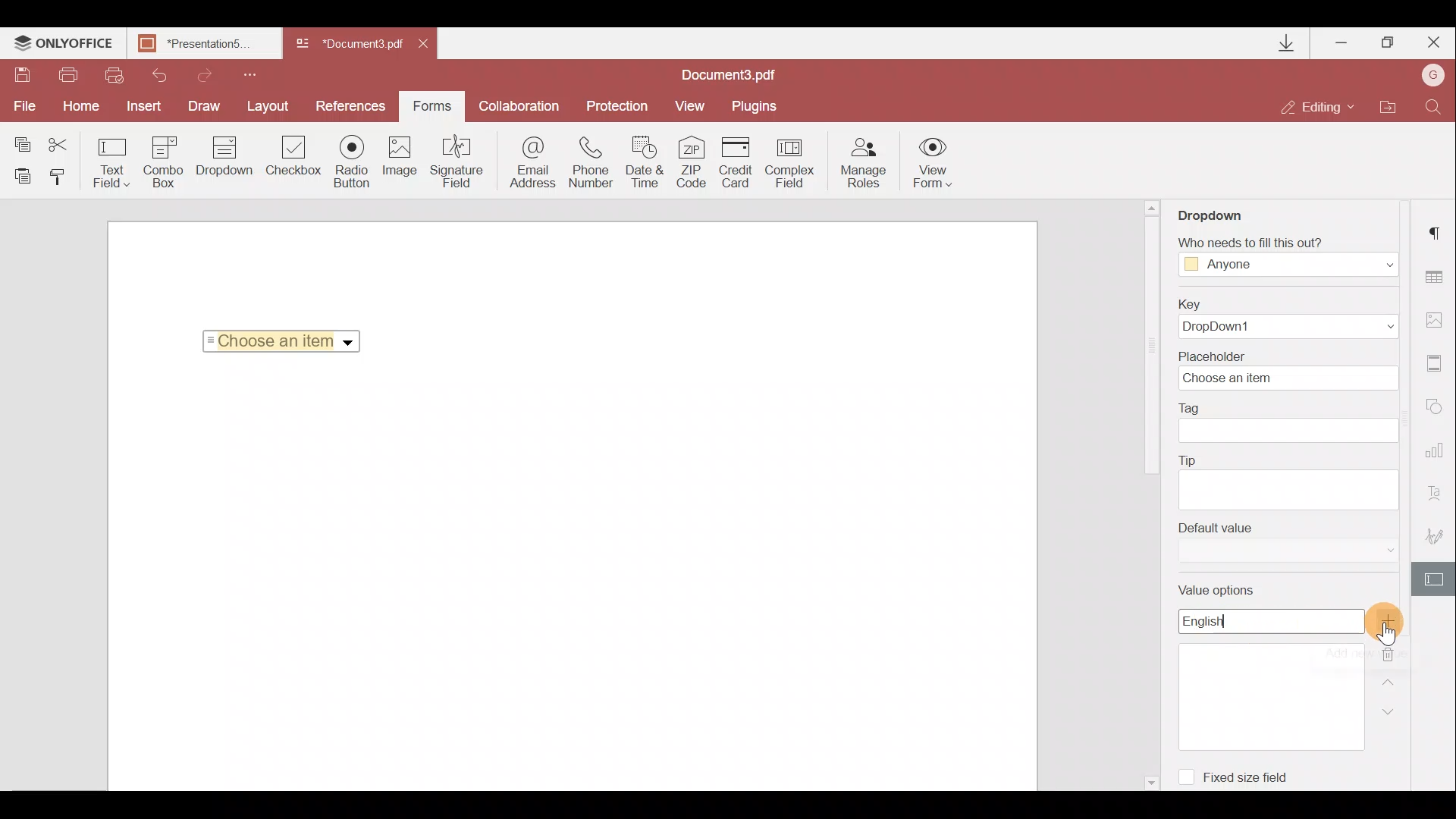 The height and width of the screenshot is (819, 1456). What do you see at coordinates (1439, 497) in the screenshot?
I see `Text Art settings` at bounding box center [1439, 497].